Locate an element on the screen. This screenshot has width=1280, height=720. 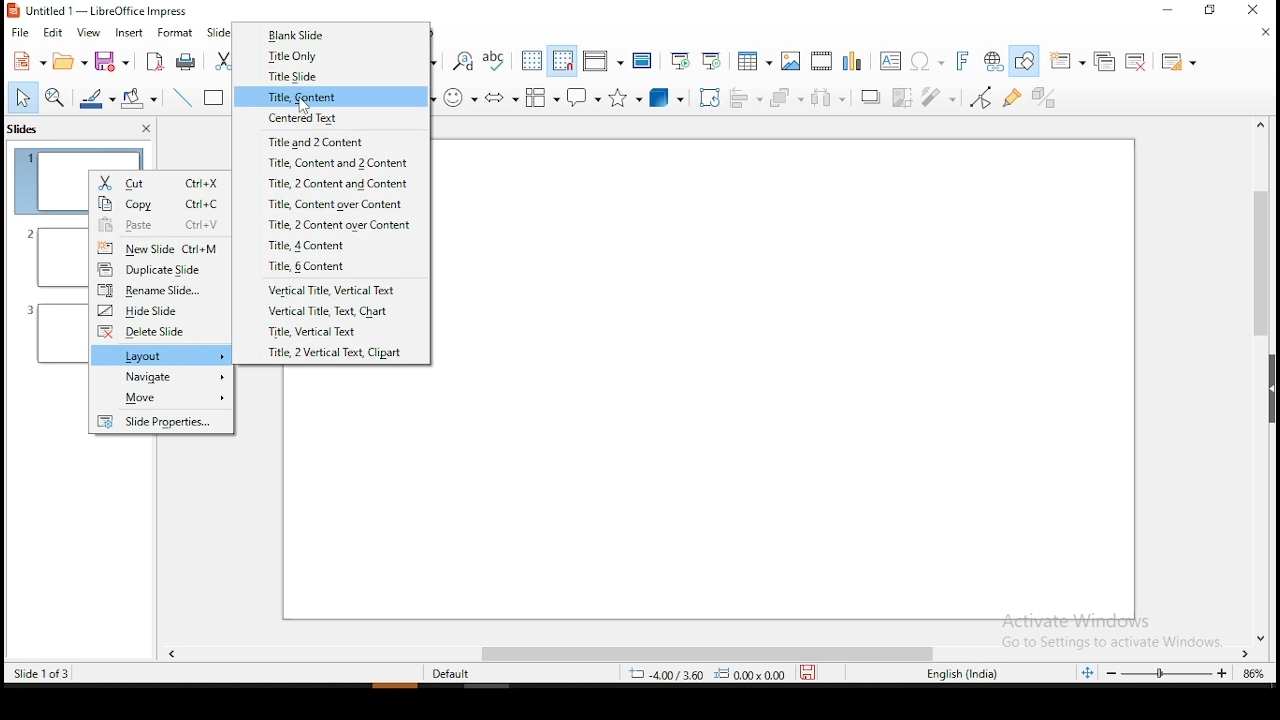
close pane is located at coordinates (146, 129).